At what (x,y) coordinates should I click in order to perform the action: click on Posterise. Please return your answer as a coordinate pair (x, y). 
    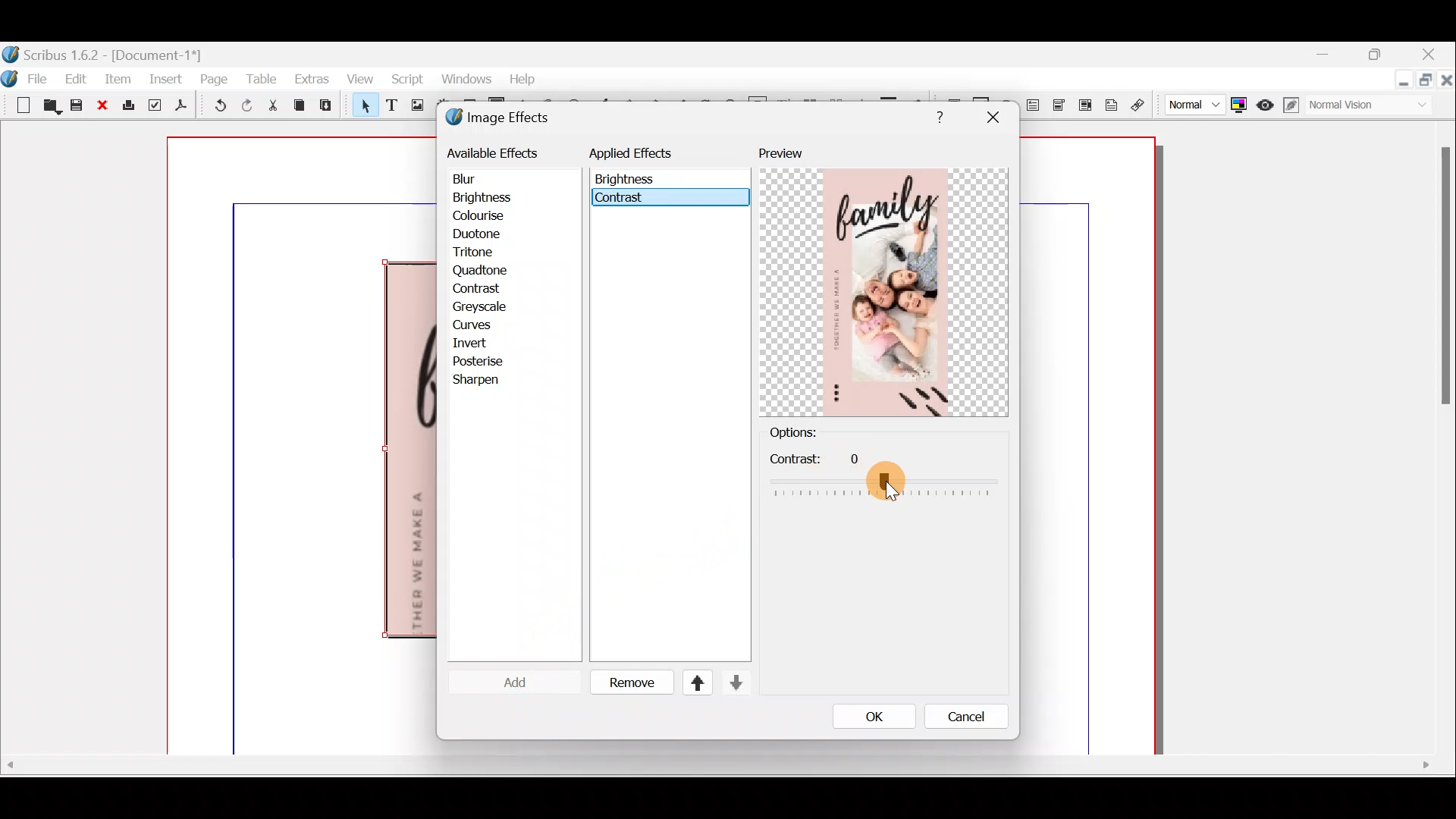
    Looking at the image, I should click on (488, 361).